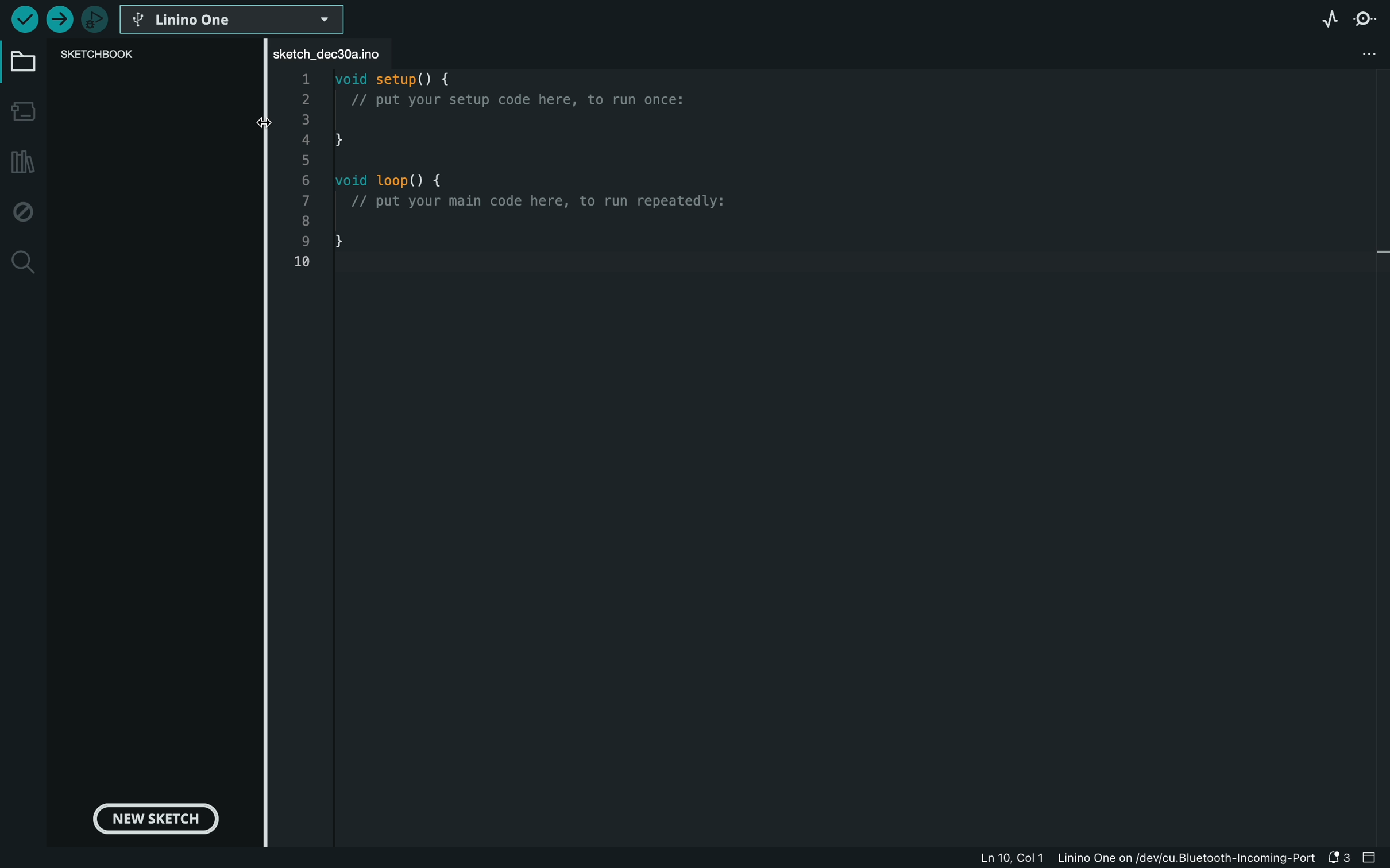  What do you see at coordinates (237, 21) in the screenshot?
I see `select board` at bounding box center [237, 21].